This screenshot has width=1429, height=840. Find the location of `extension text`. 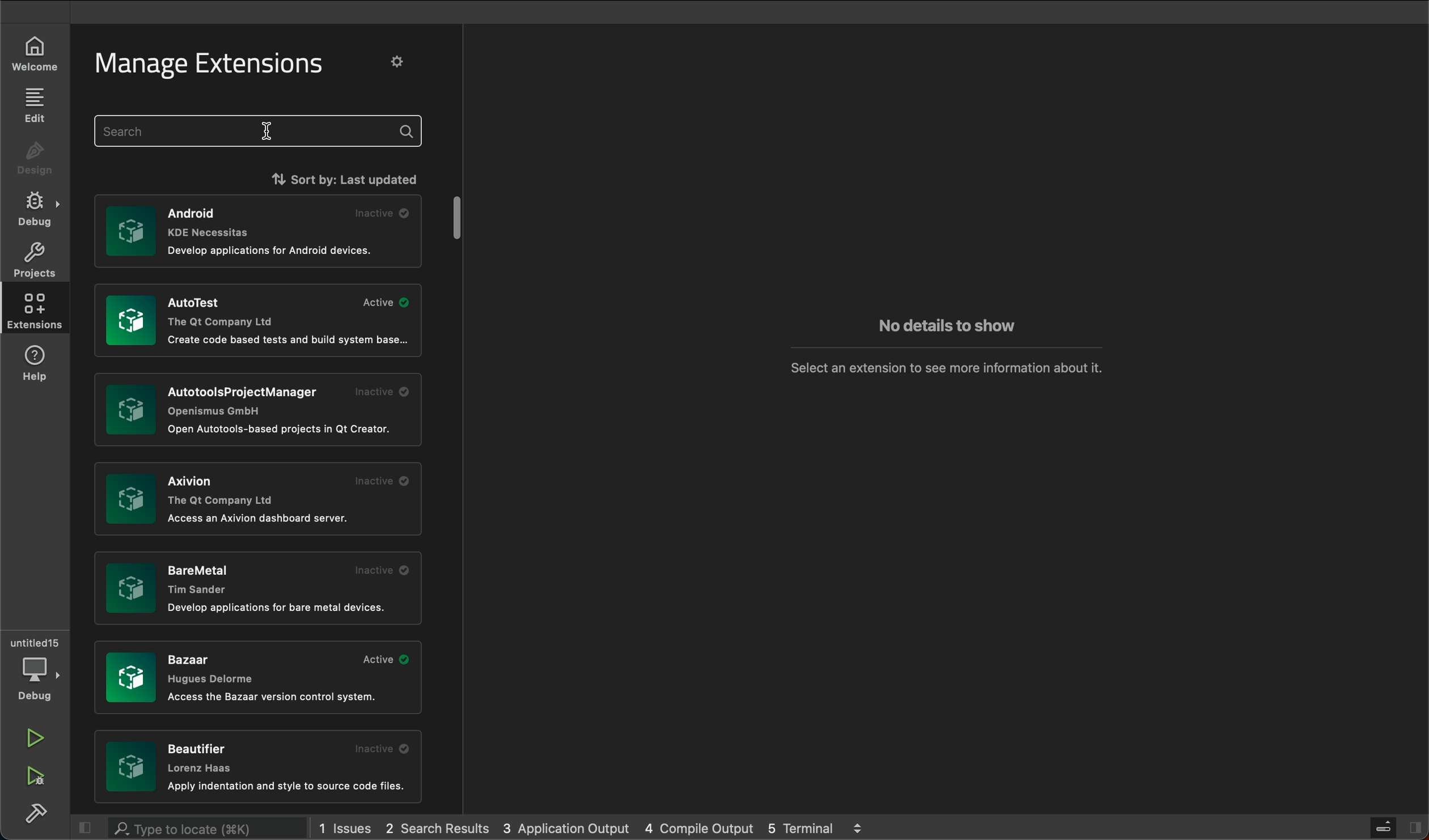

extension text is located at coordinates (202, 757).